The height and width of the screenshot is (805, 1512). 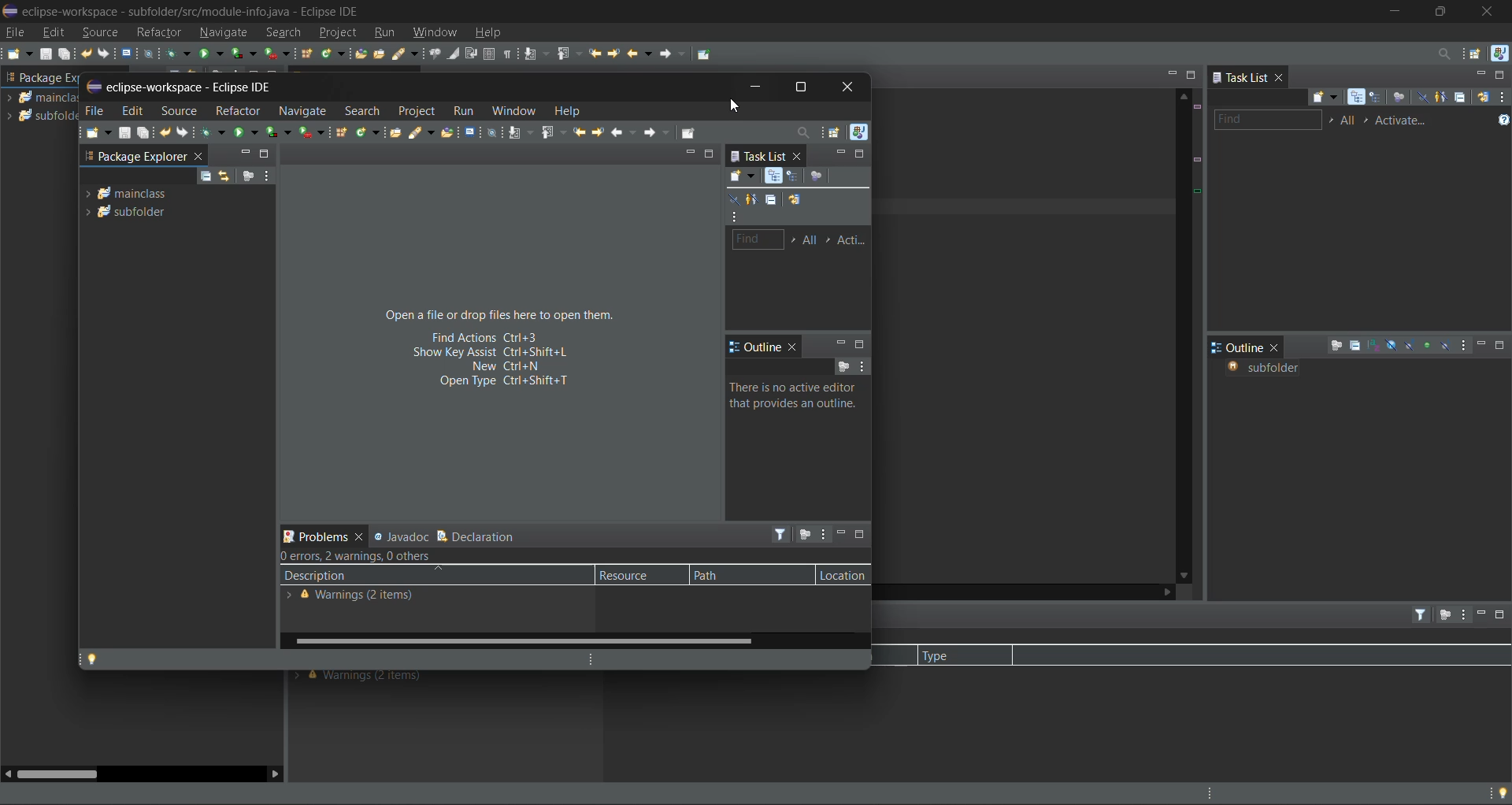 I want to click on filters, so click(x=1423, y=614).